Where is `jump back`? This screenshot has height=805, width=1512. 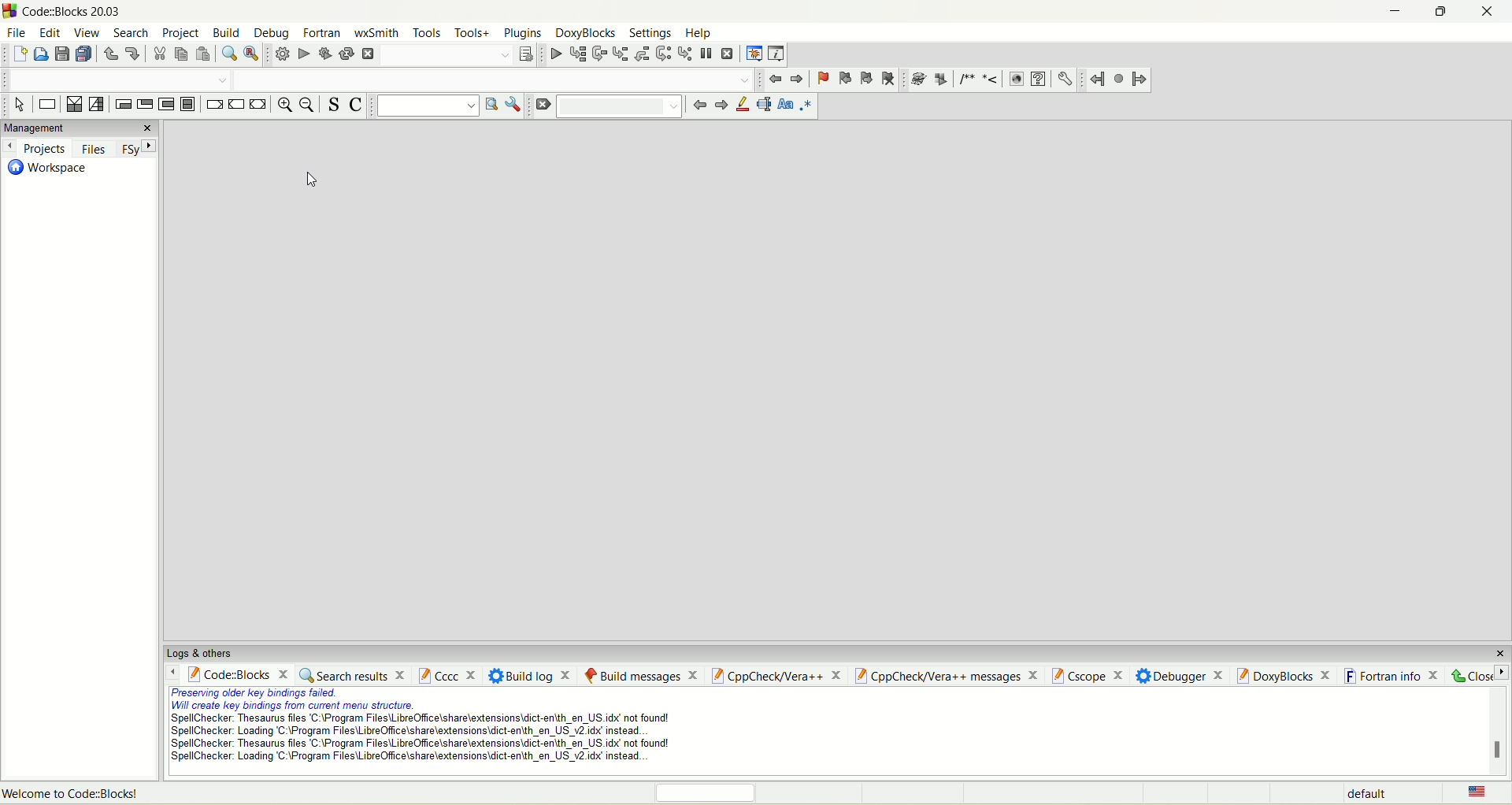
jump back is located at coordinates (775, 79).